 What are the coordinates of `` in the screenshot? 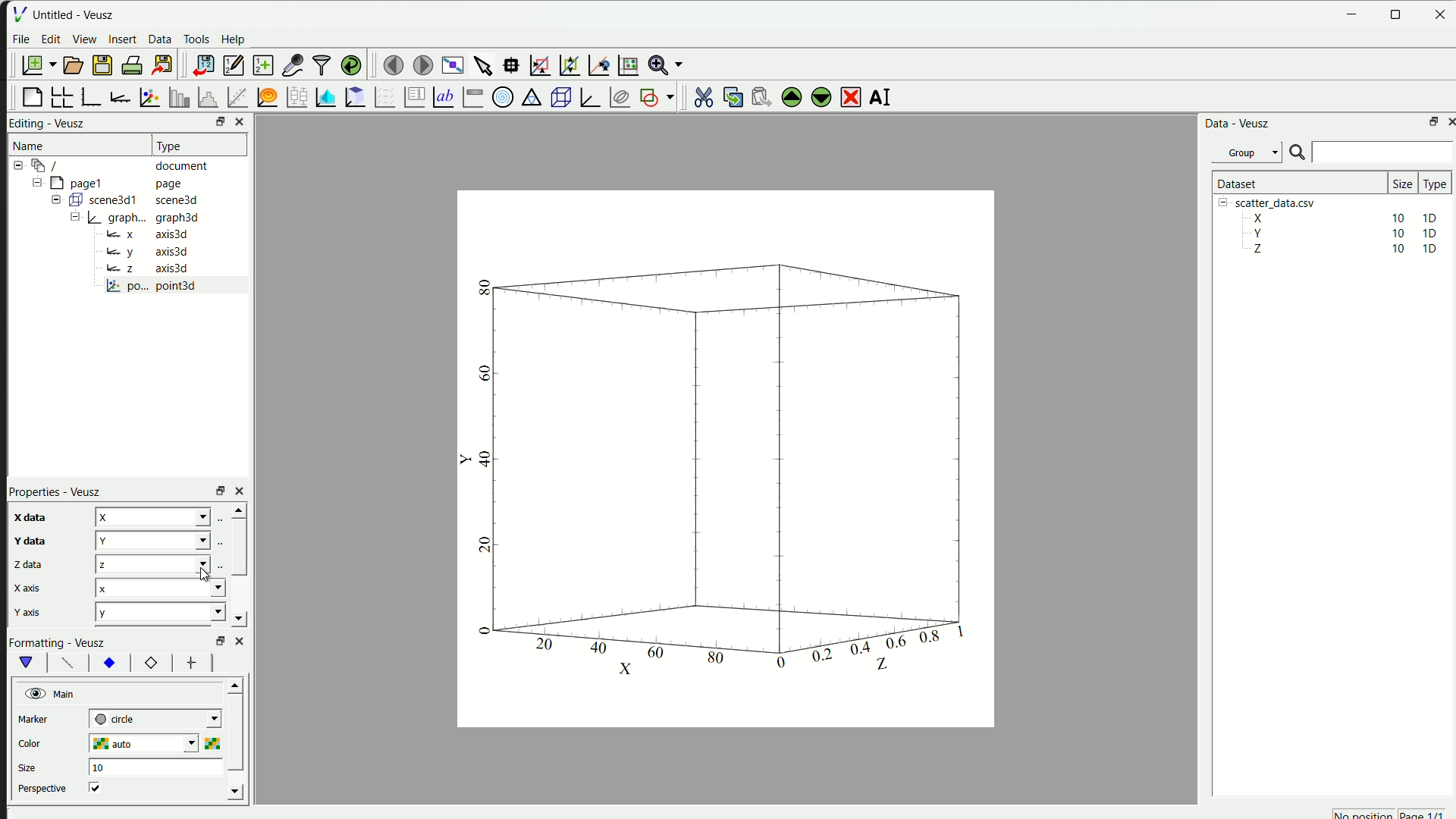 It's located at (218, 639).